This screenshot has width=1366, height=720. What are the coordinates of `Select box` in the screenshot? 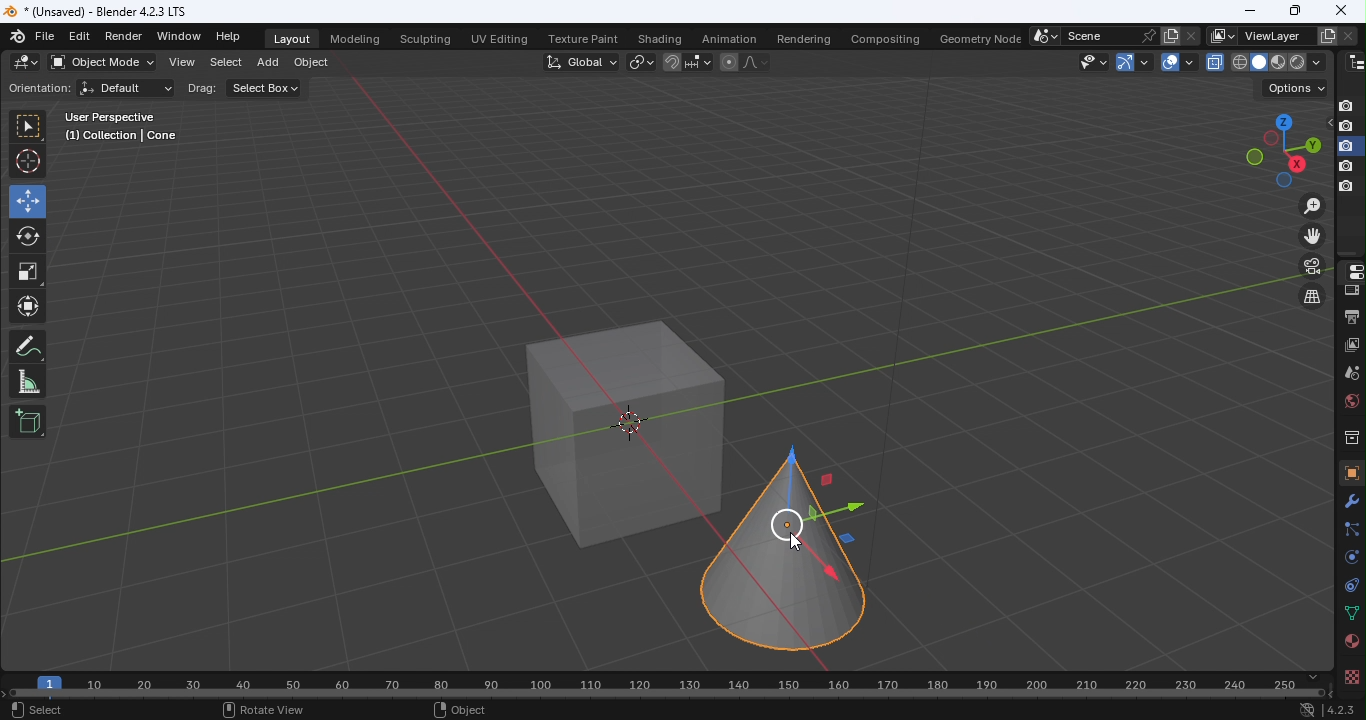 It's located at (266, 90).